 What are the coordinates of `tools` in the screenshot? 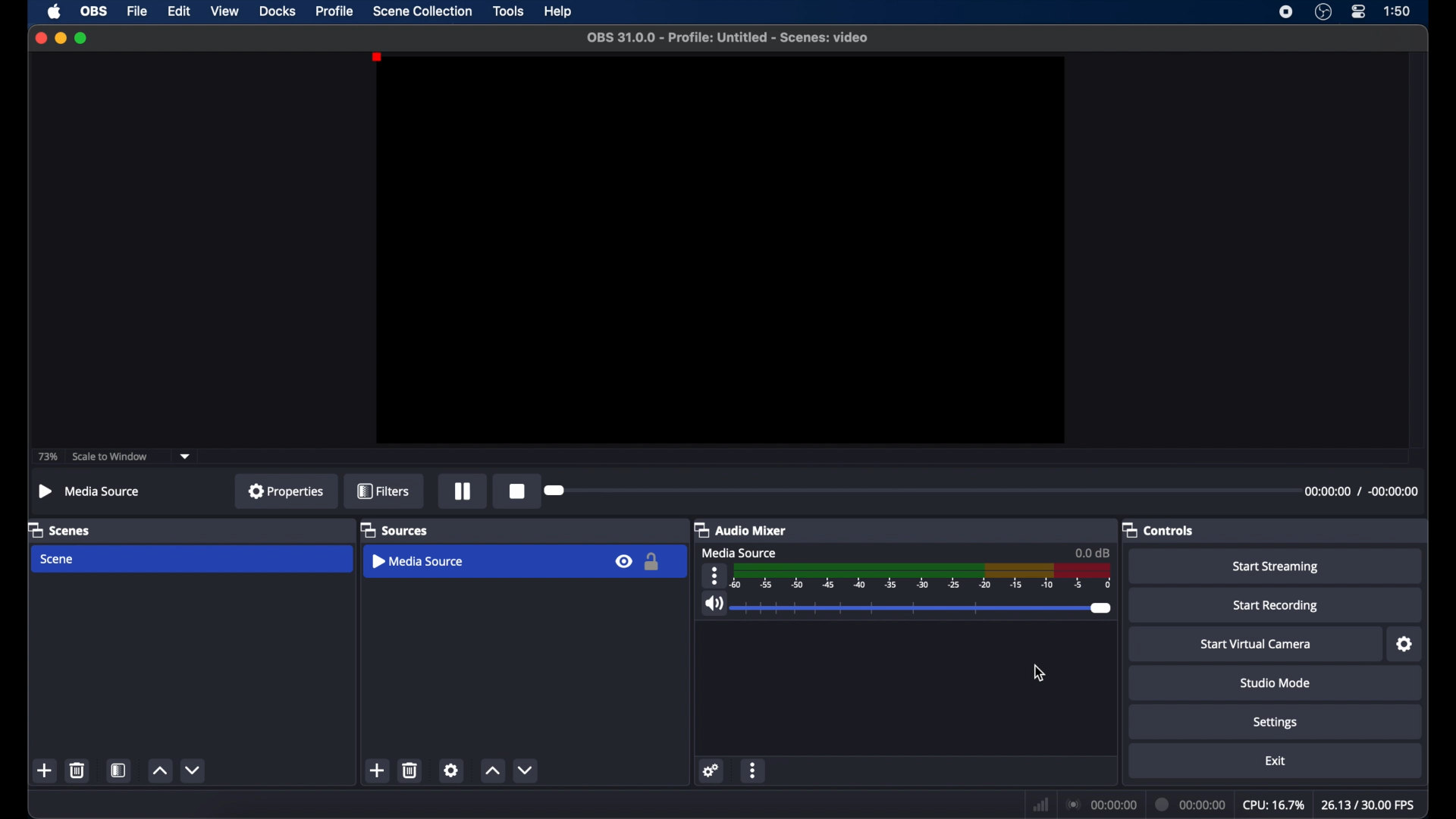 It's located at (510, 11).